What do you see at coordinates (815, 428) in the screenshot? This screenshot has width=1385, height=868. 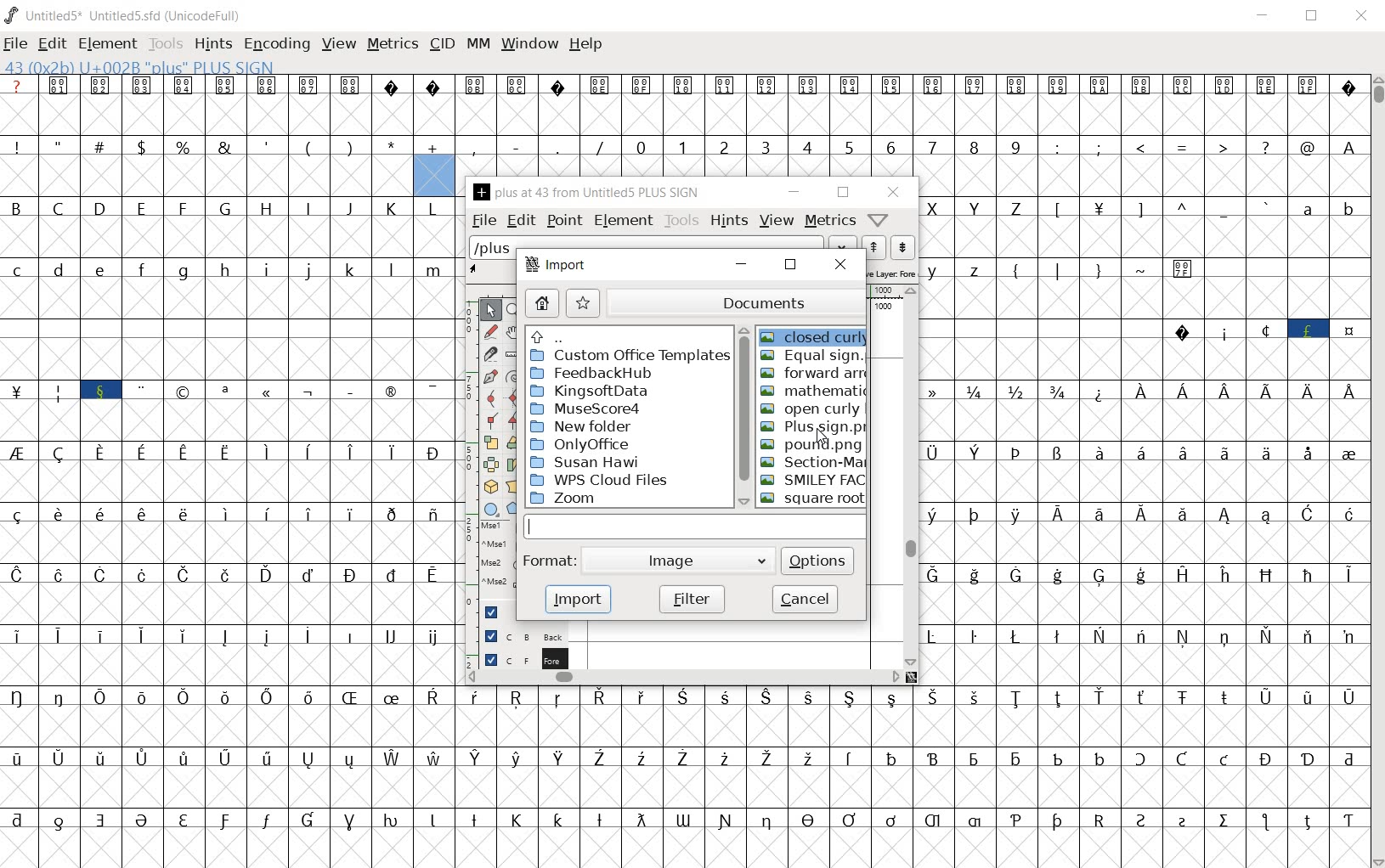 I see `PLUS SIGN.PNG` at bounding box center [815, 428].